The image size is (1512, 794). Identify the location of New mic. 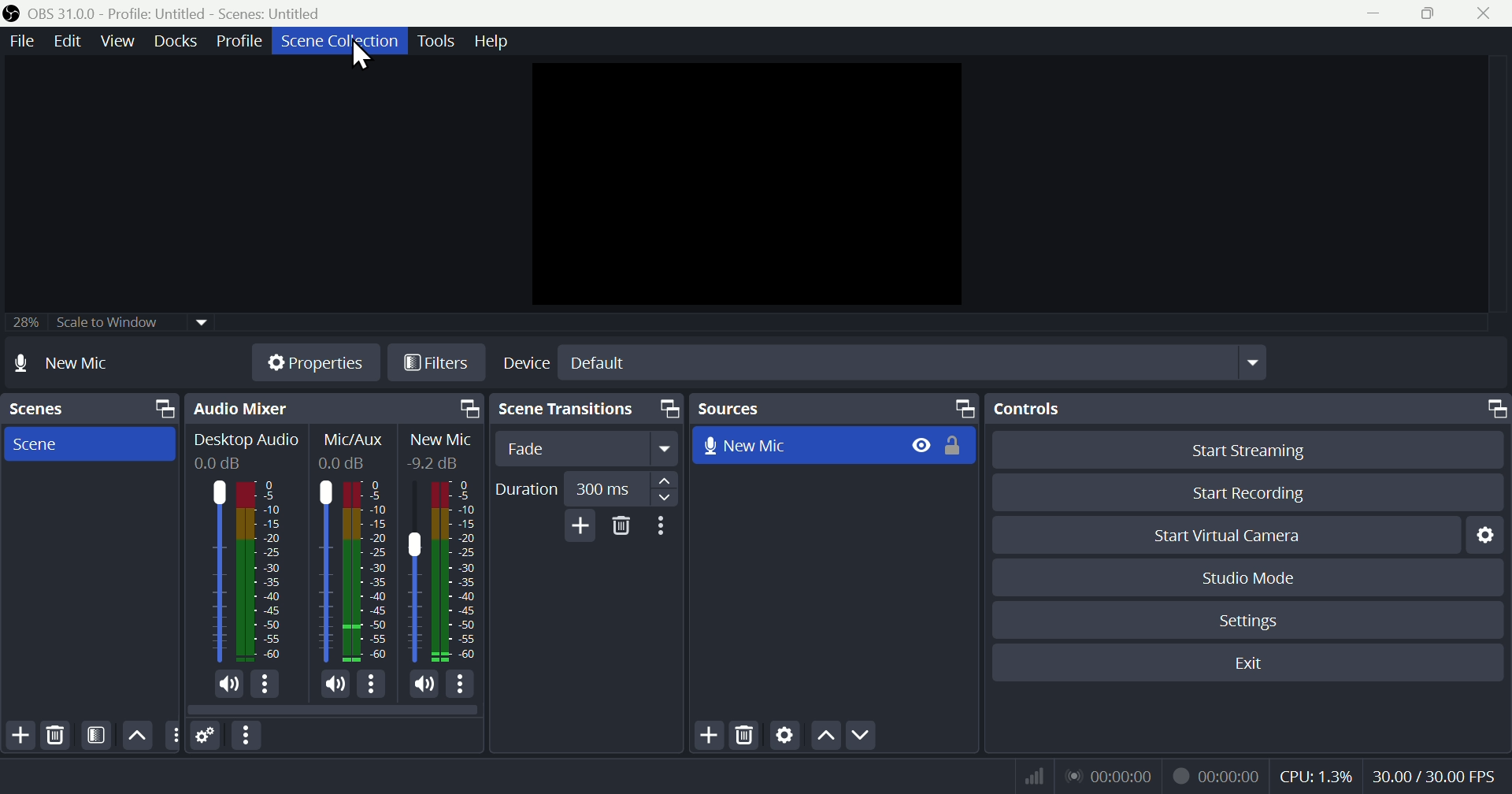
(66, 363).